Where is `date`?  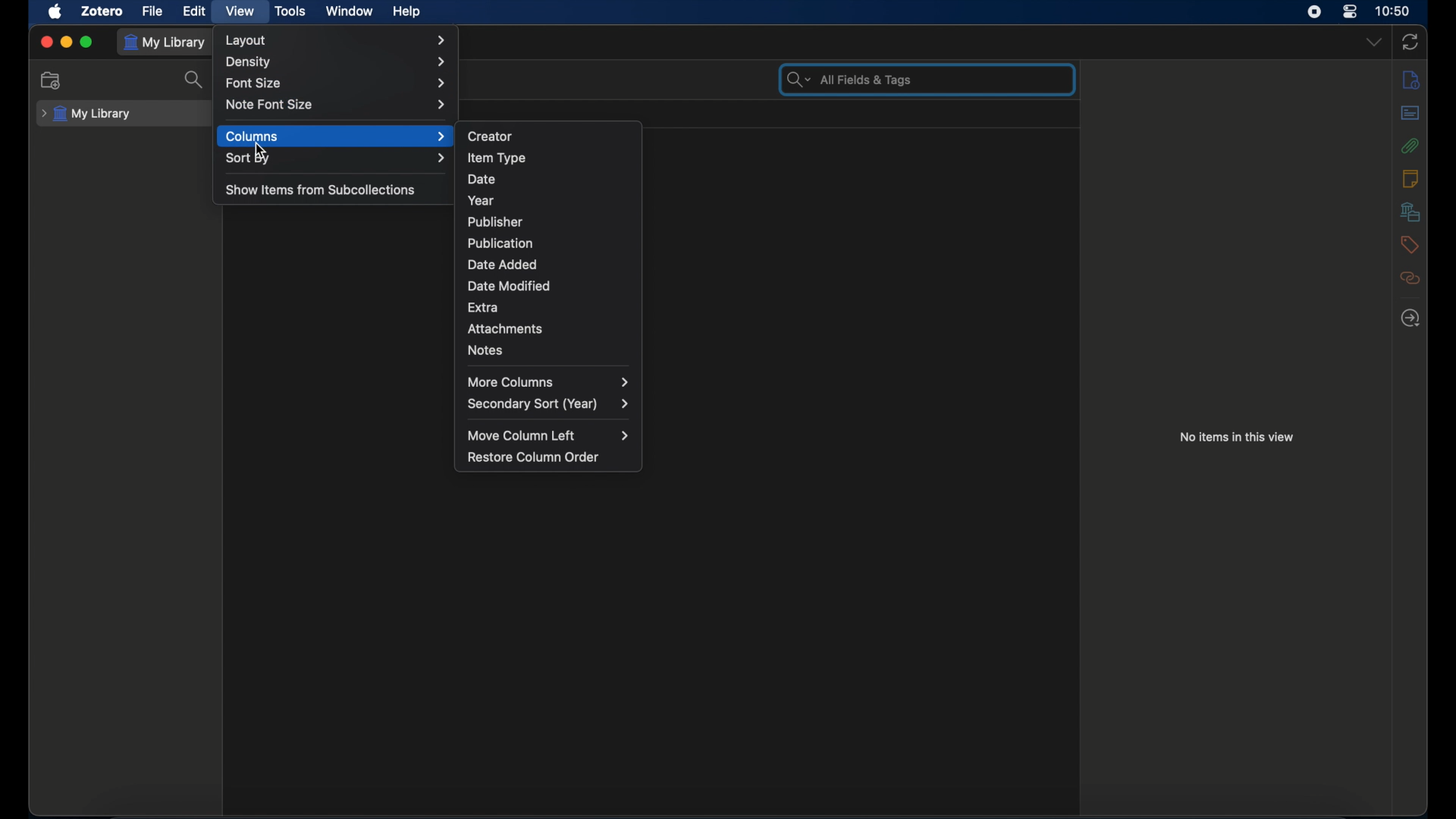
date is located at coordinates (482, 179).